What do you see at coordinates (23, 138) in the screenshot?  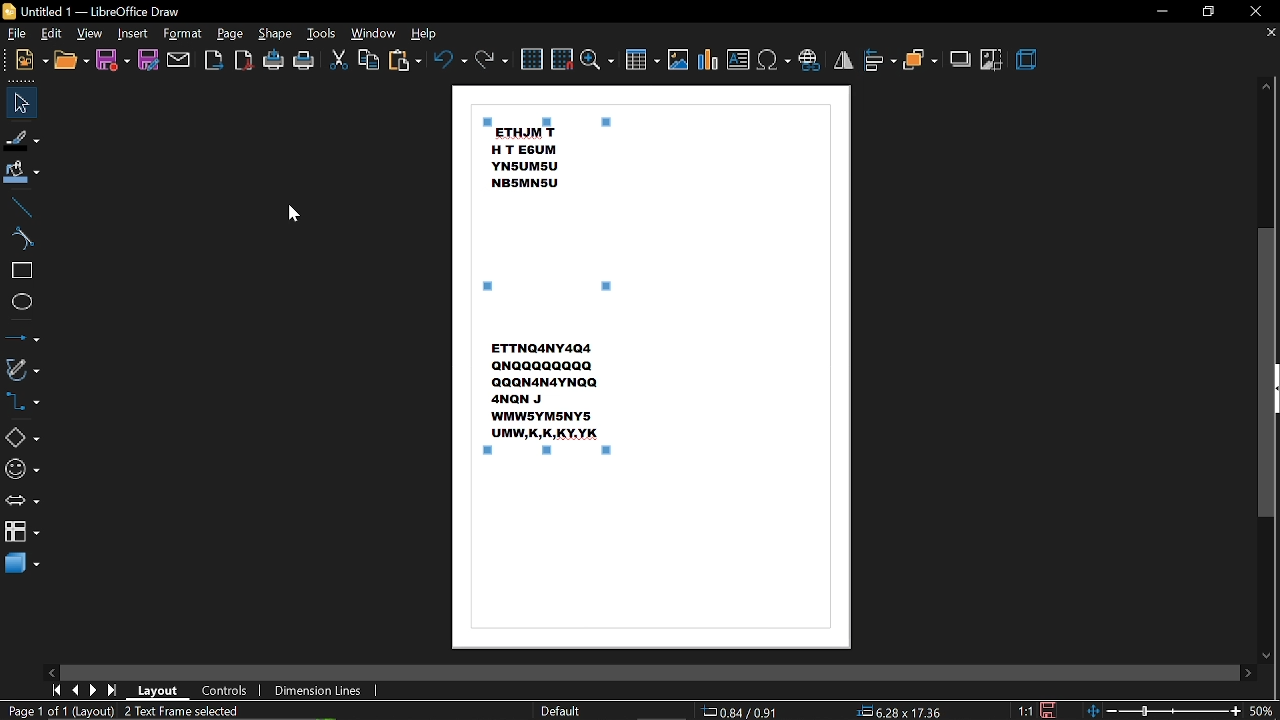 I see `fill line` at bounding box center [23, 138].